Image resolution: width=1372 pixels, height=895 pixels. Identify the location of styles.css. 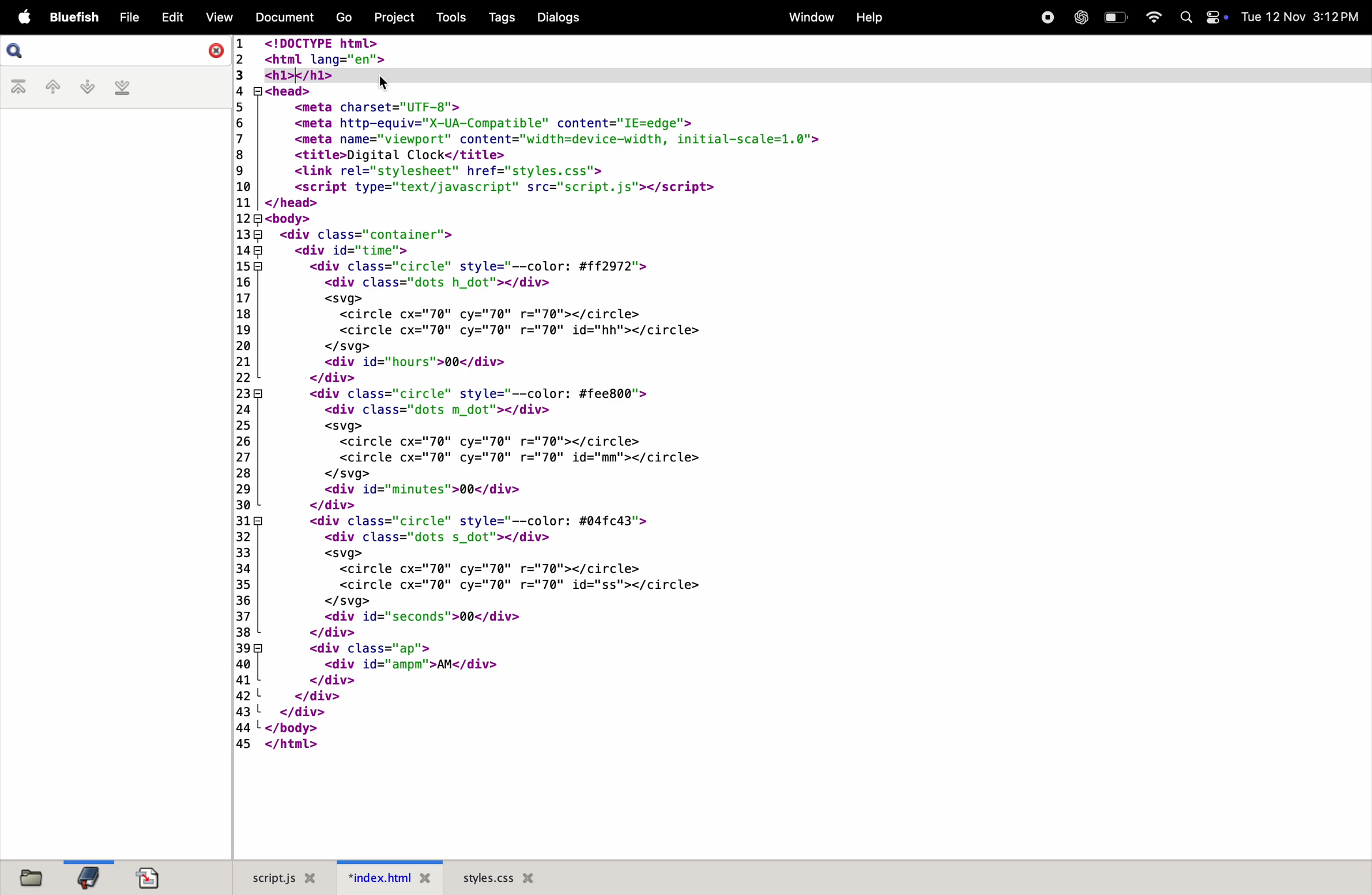
(499, 877).